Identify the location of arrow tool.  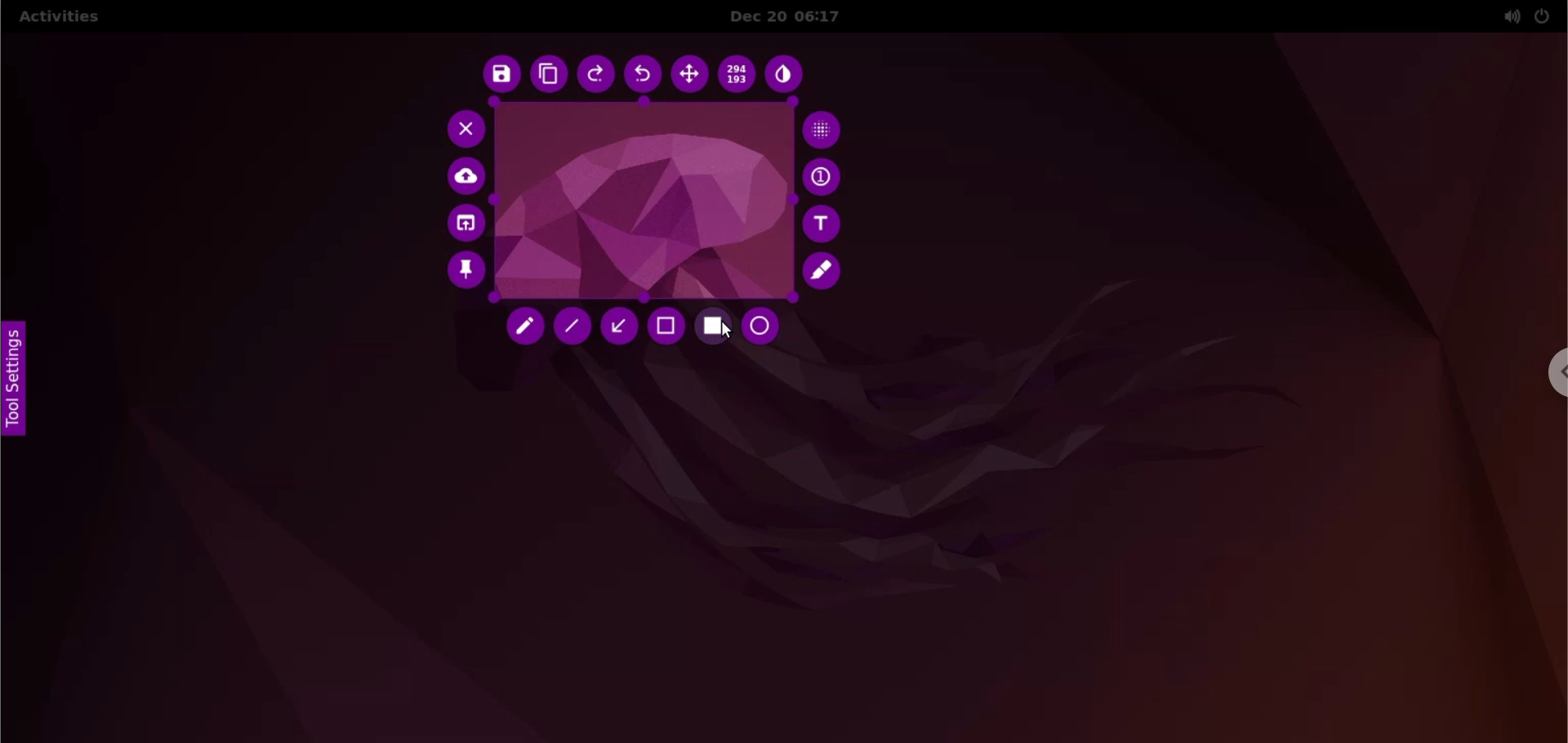
(618, 326).